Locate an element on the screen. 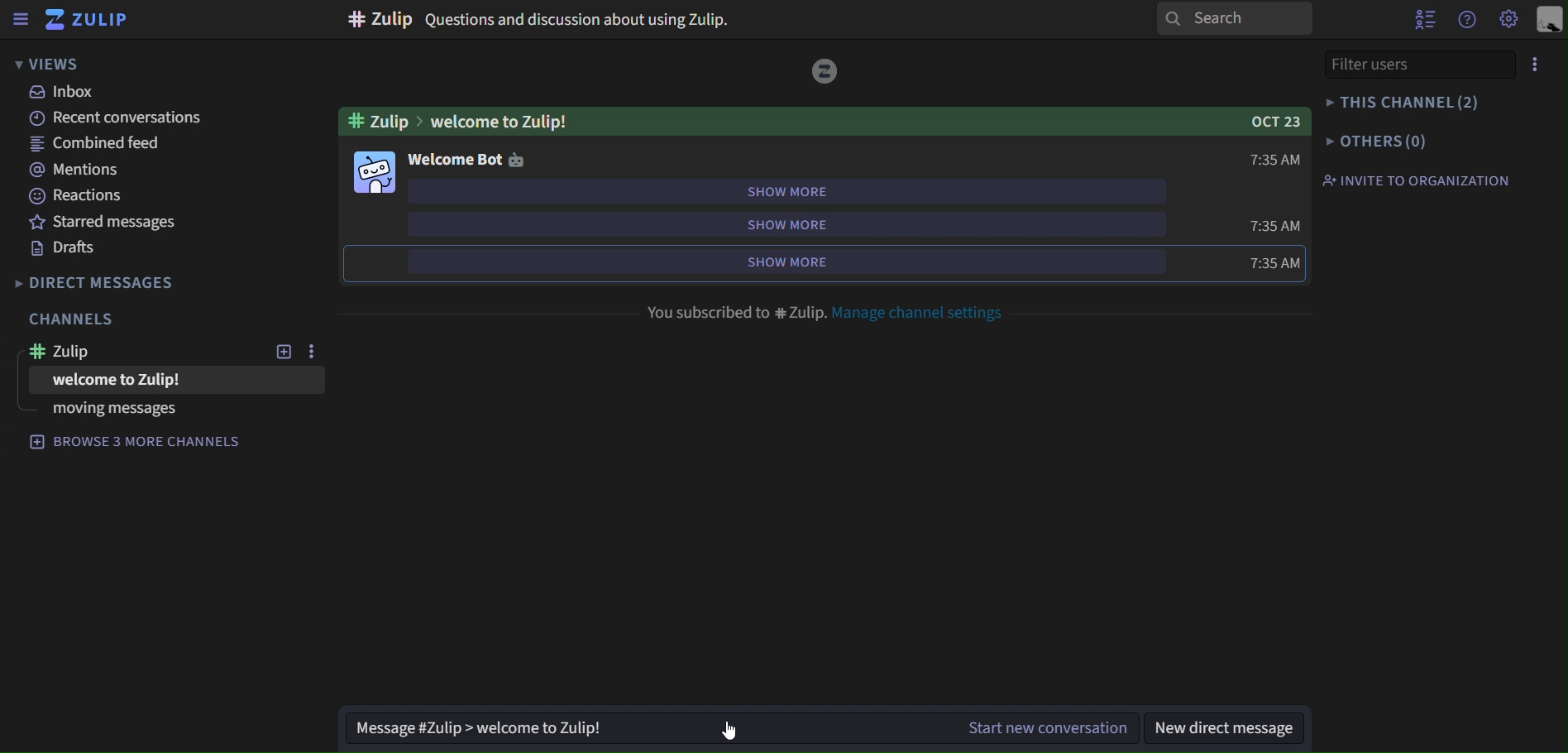 This screenshot has width=1568, height=753. views is located at coordinates (48, 63).